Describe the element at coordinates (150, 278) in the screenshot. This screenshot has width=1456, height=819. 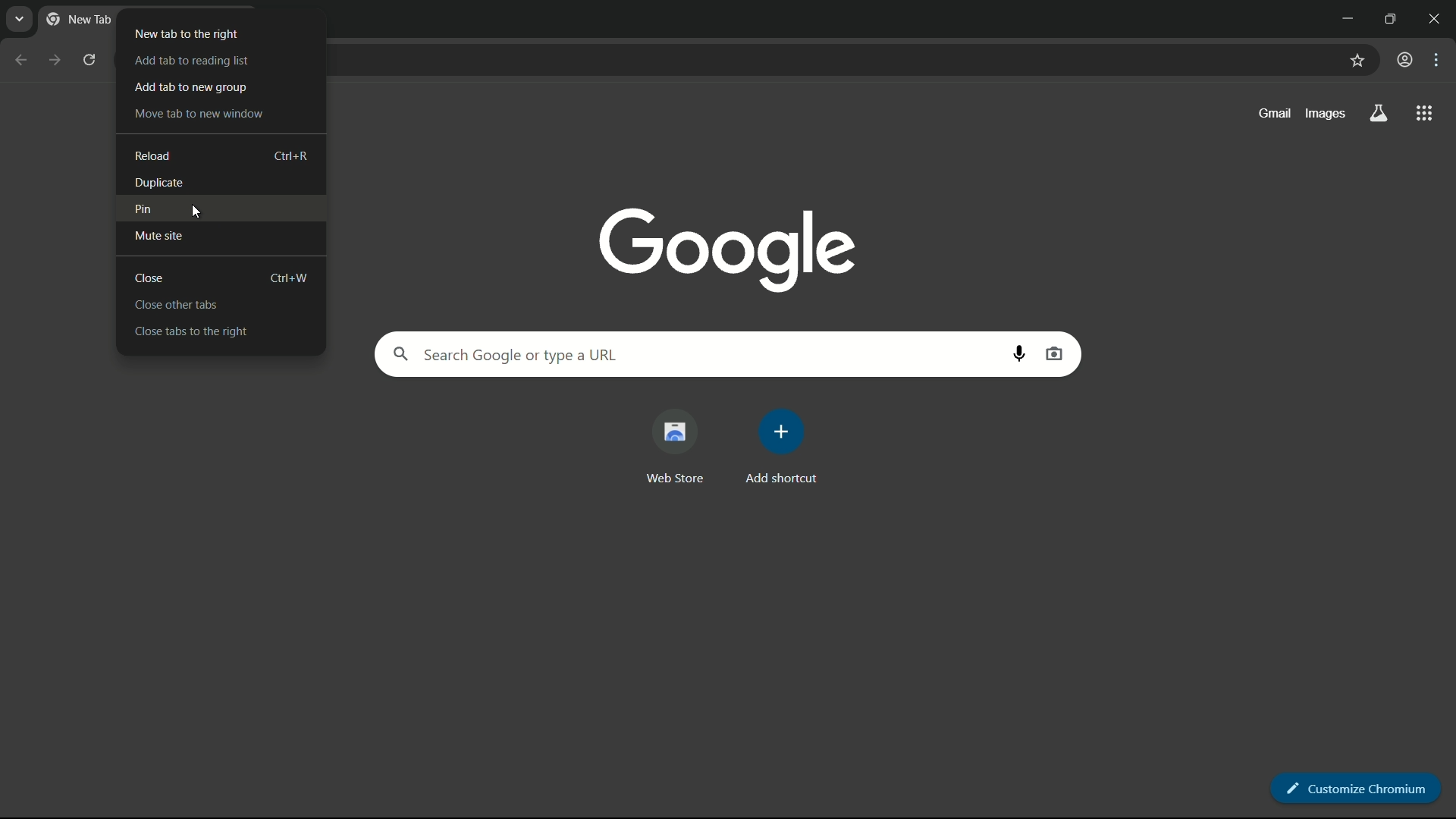
I see `close` at that location.